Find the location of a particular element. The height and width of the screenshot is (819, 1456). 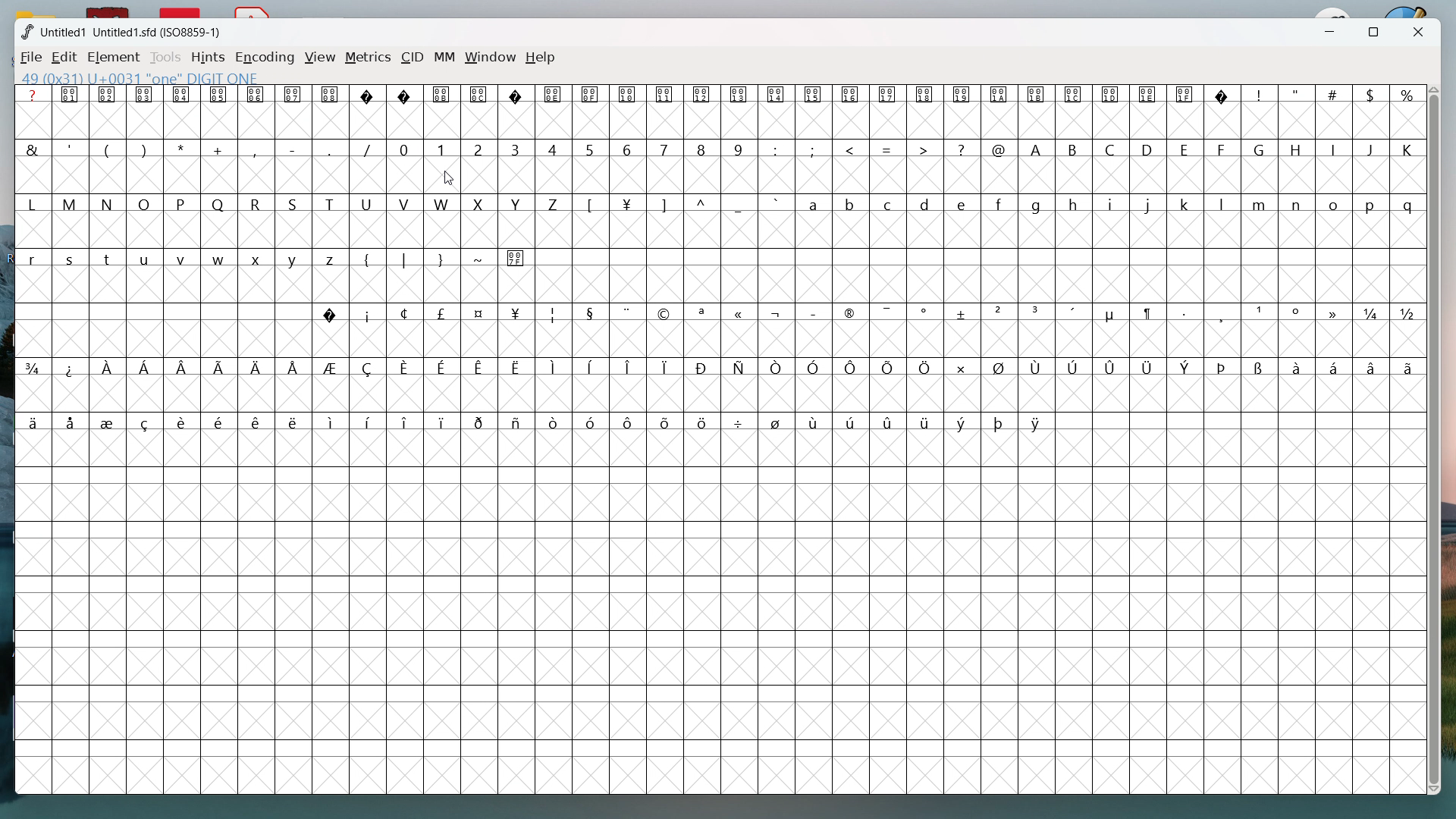

symbol is located at coordinates (964, 422).